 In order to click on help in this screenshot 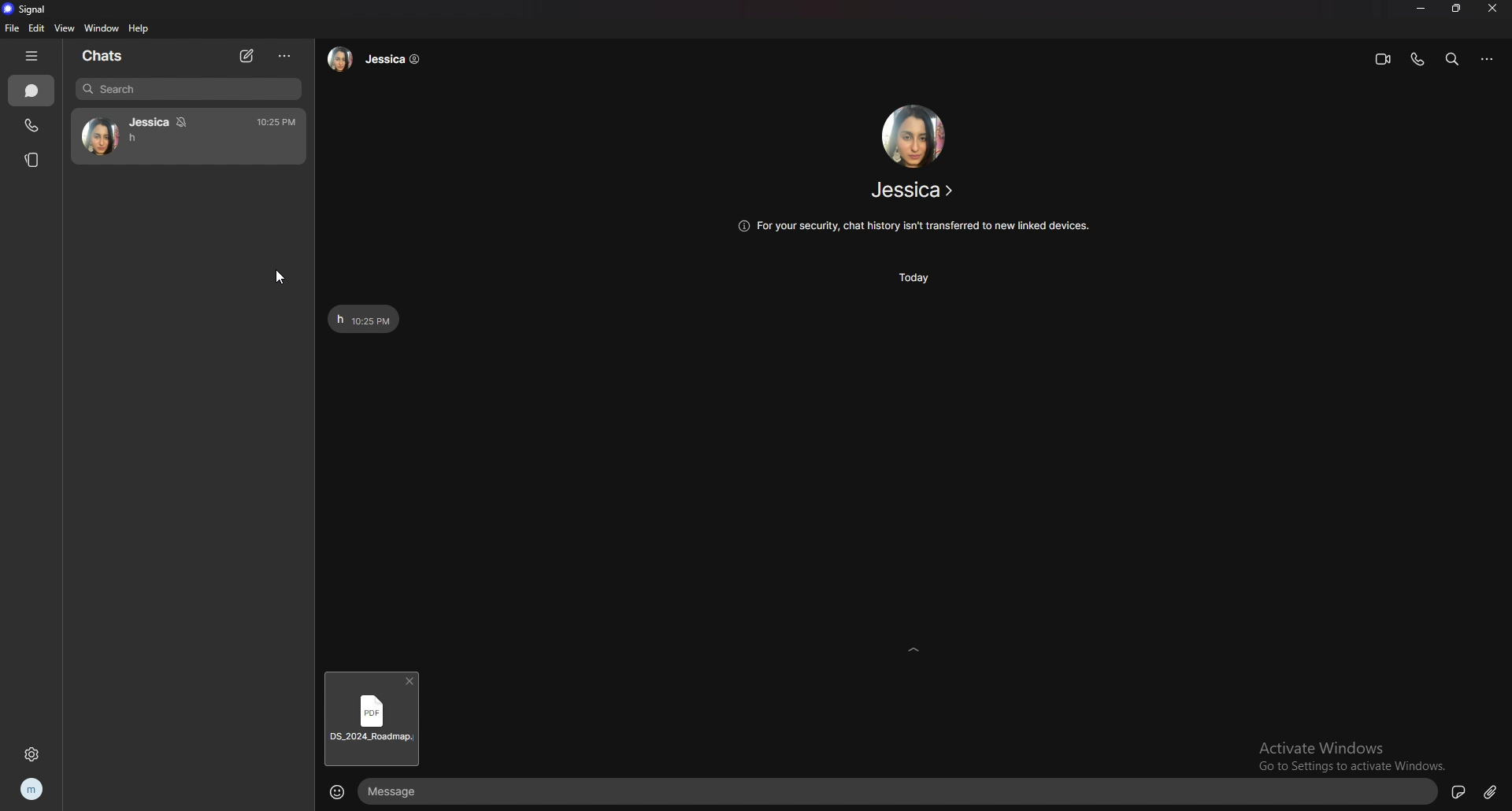, I will do `click(140, 28)`.